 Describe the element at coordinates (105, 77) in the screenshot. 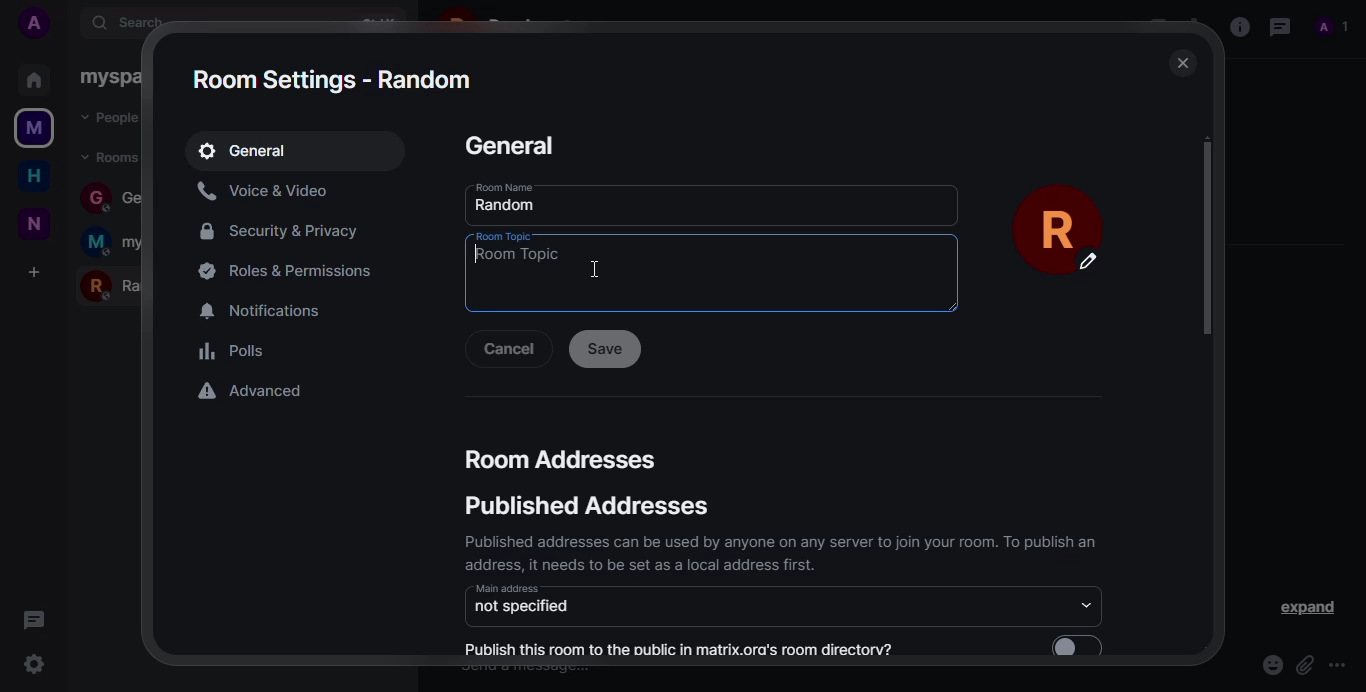

I see `myspace` at that location.